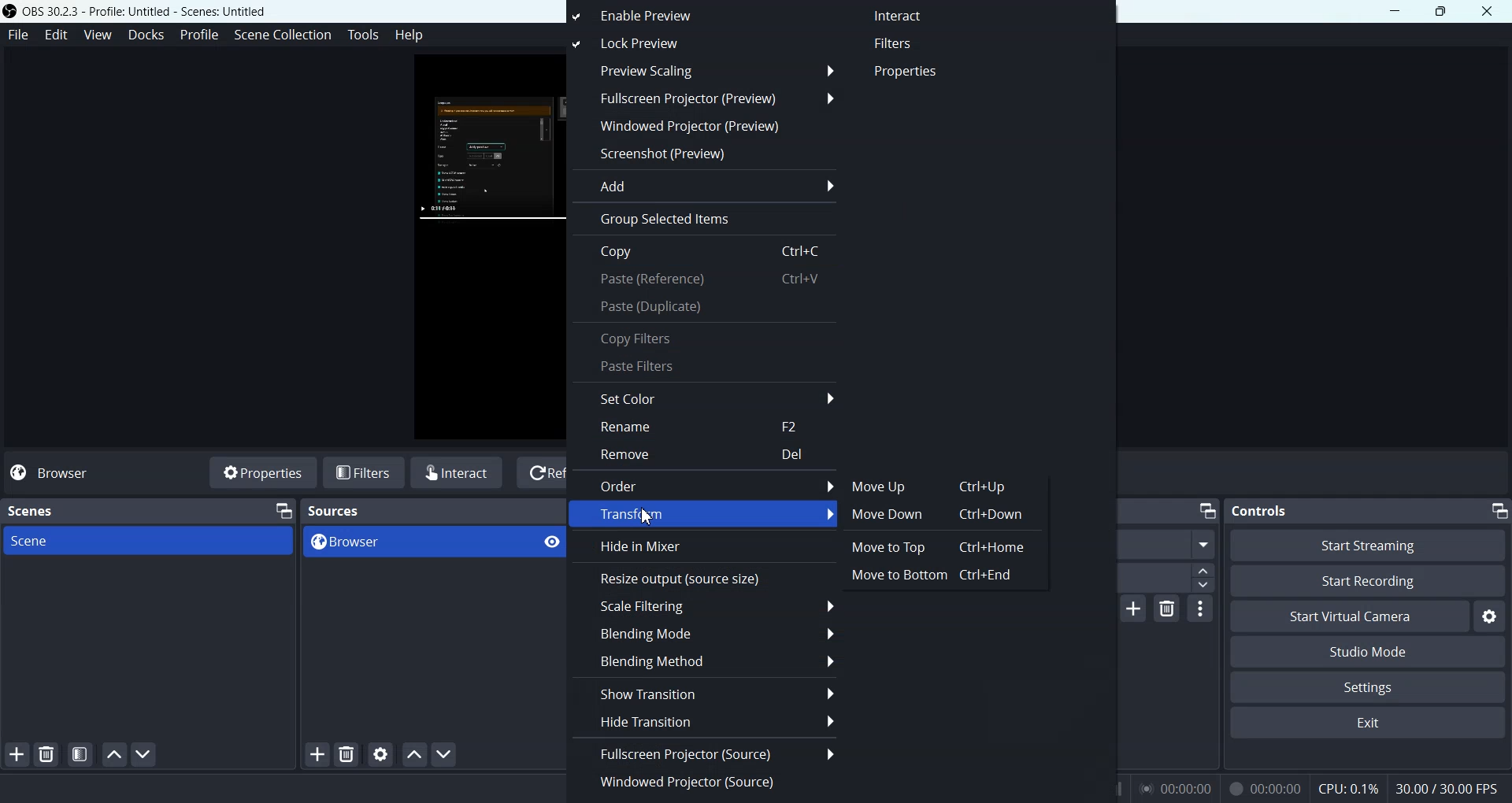 The height and width of the screenshot is (803, 1512). What do you see at coordinates (1345, 787) in the screenshot?
I see `CPU: 0.1%` at bounding box center [1345, 787].